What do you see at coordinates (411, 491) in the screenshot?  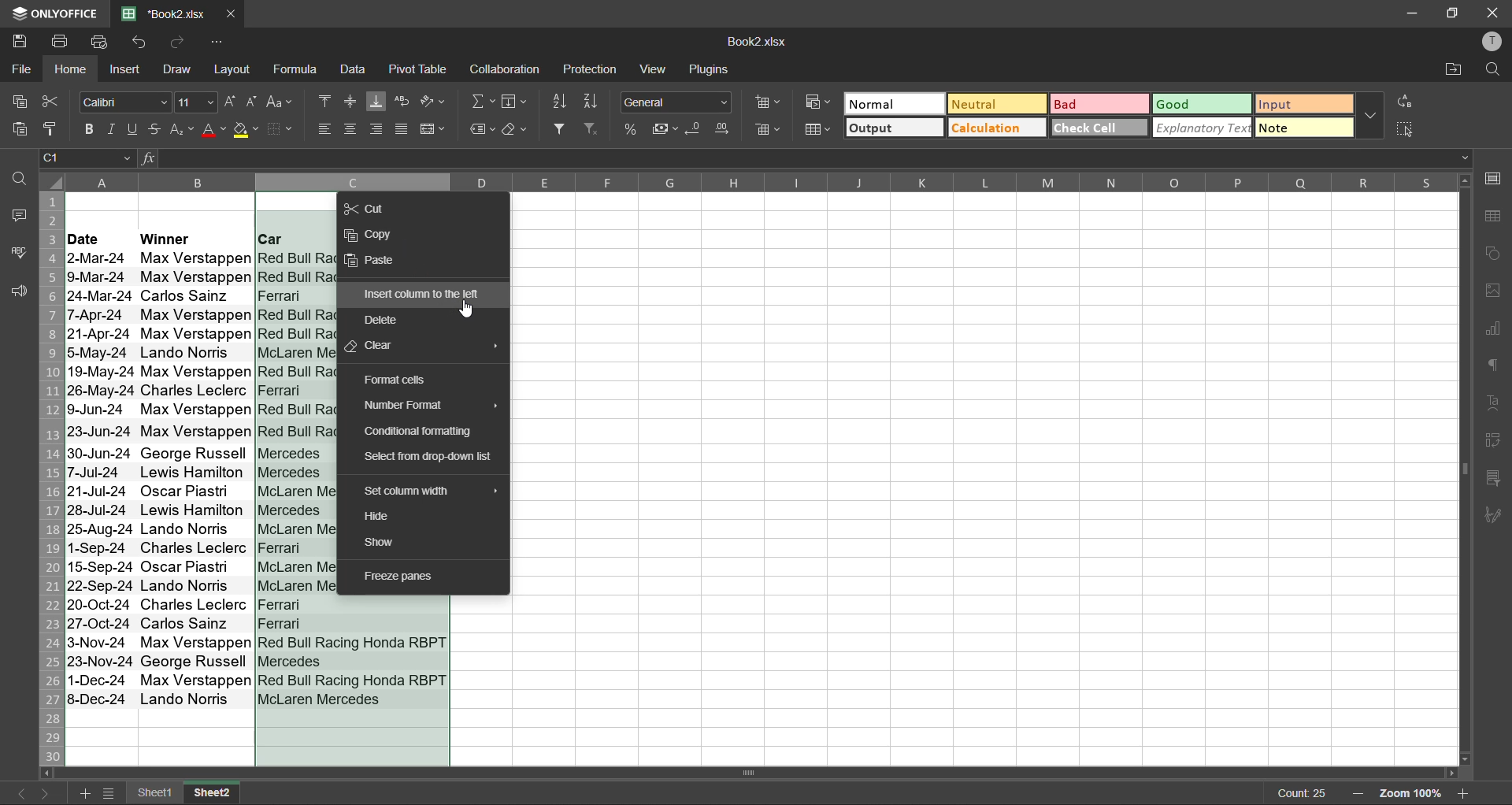 I see `set column width` at bounding box center [411, 491].